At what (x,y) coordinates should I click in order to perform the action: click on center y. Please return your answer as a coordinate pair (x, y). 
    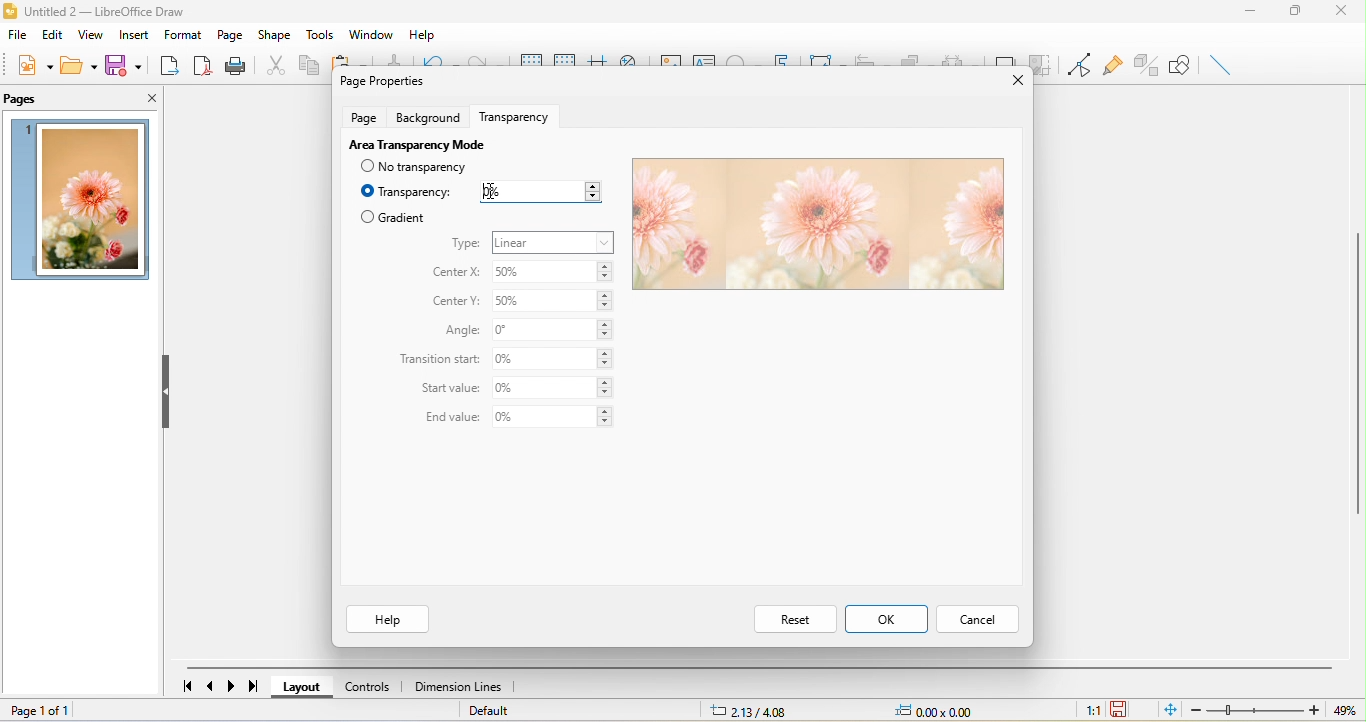
    Looking at the image, I should click on (458, 302).